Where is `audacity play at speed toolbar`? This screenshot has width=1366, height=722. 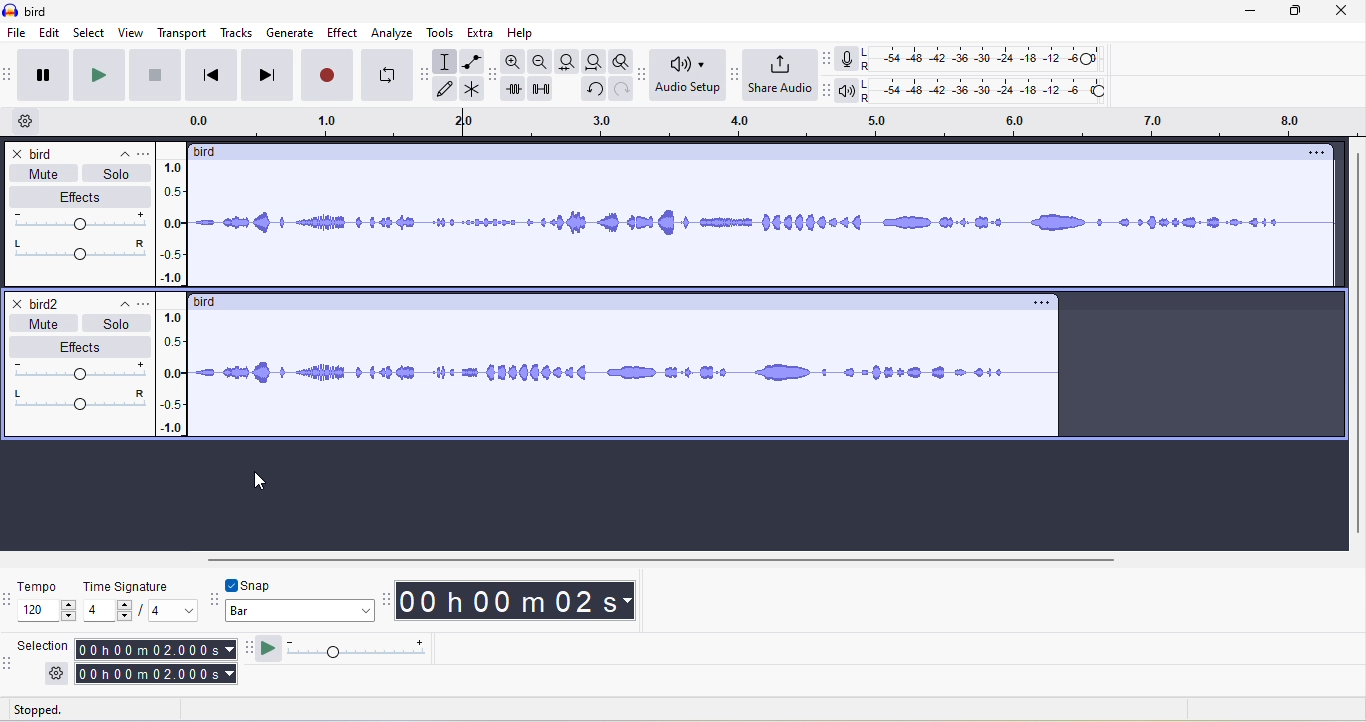 audacity play at speed toolbar is located at coordinates (249, 649).